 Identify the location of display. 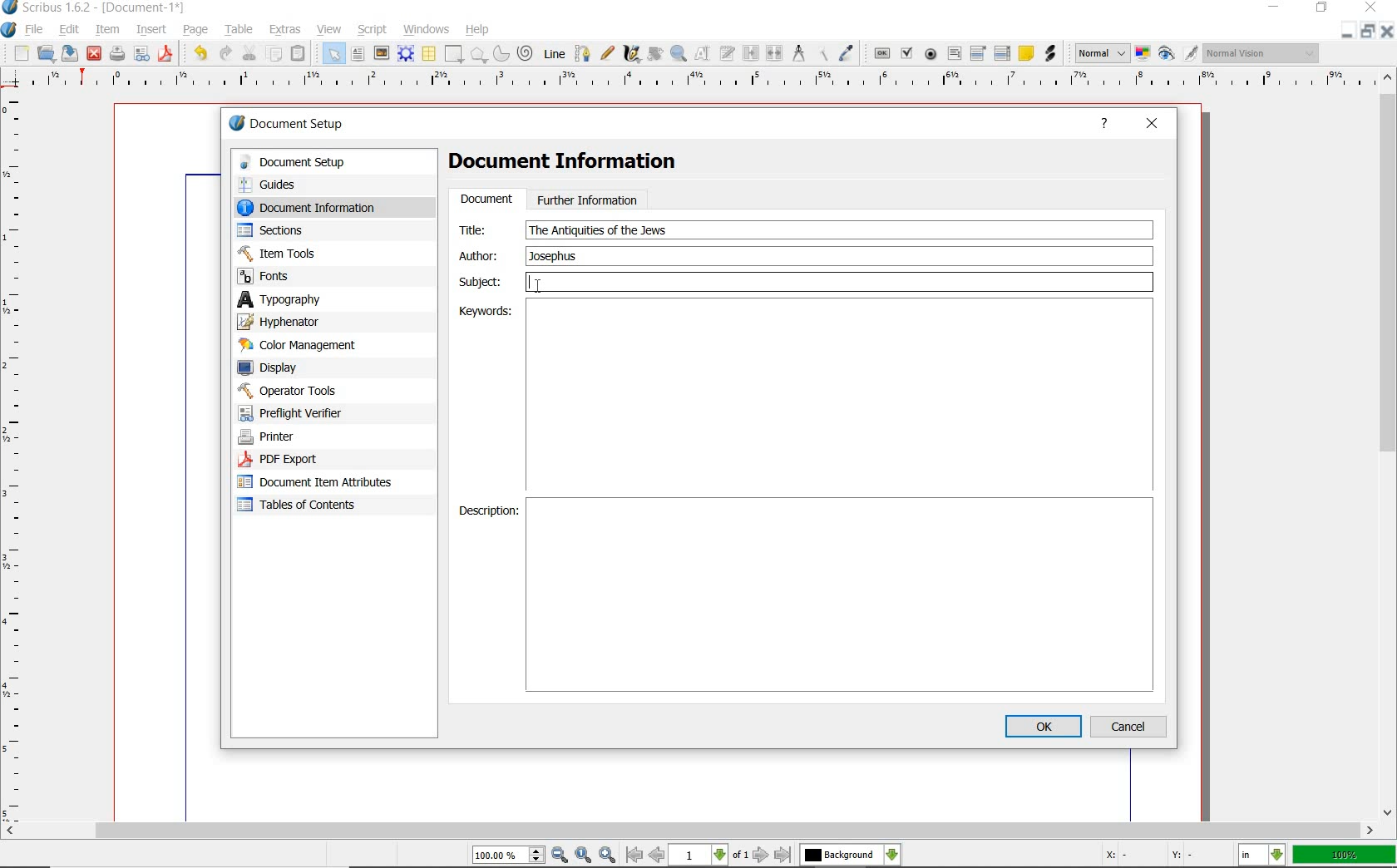
(297, 367).